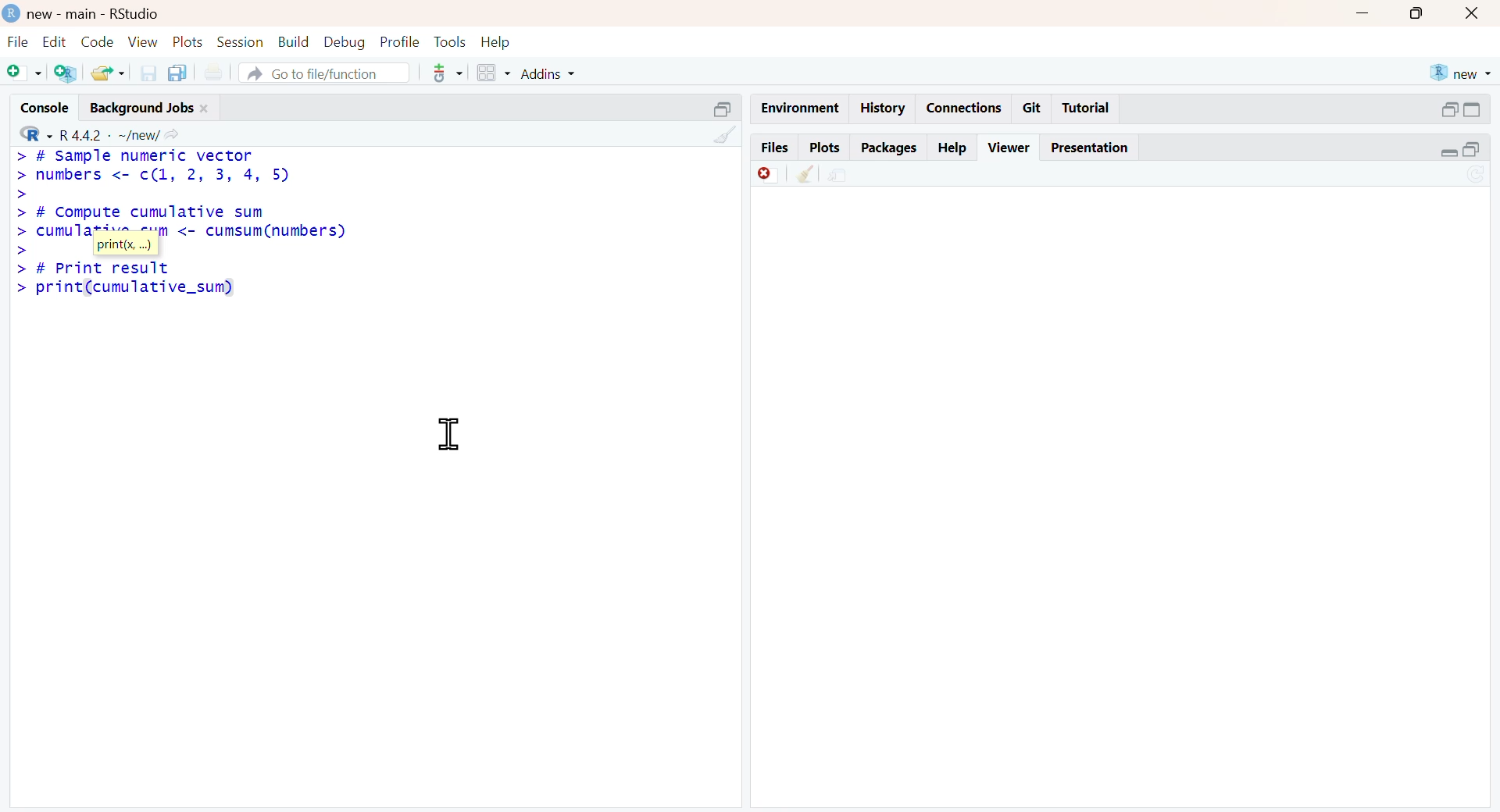 The image size is (1500, 812). I want to click on tools, so click(450, 41).